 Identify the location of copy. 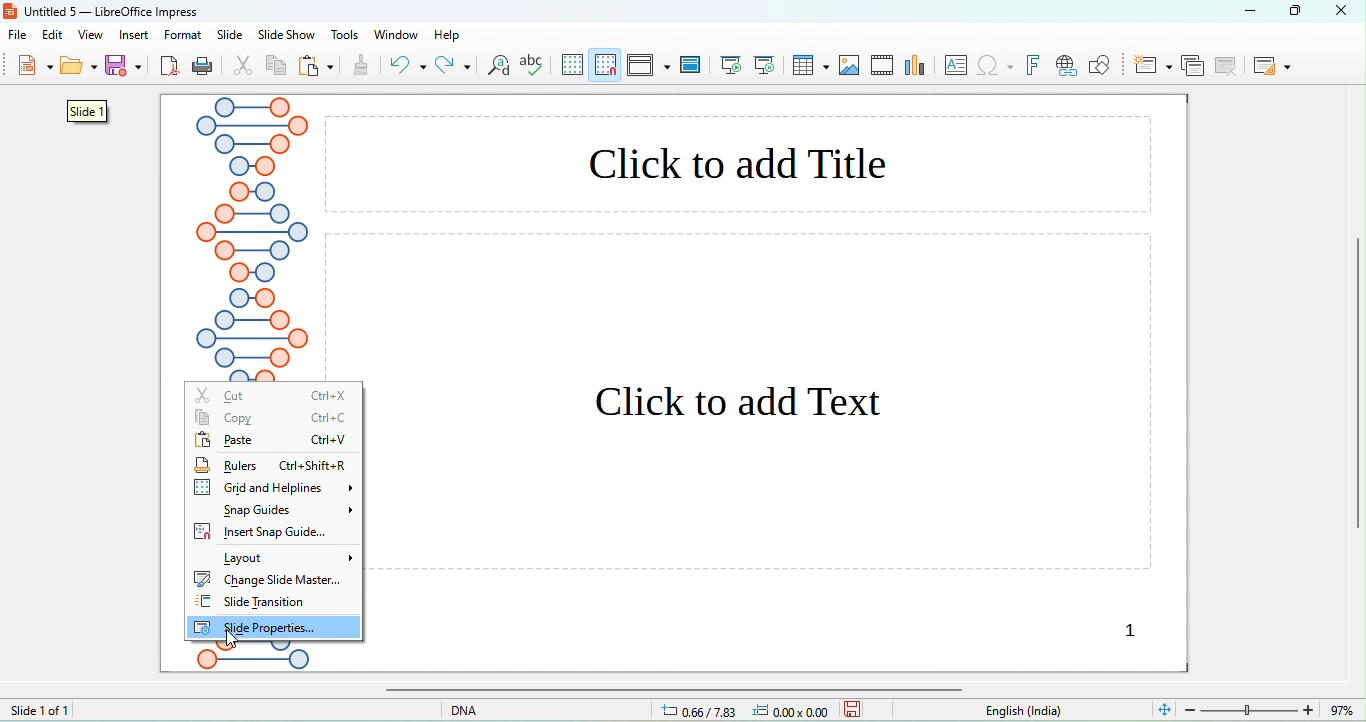
(270, 418).